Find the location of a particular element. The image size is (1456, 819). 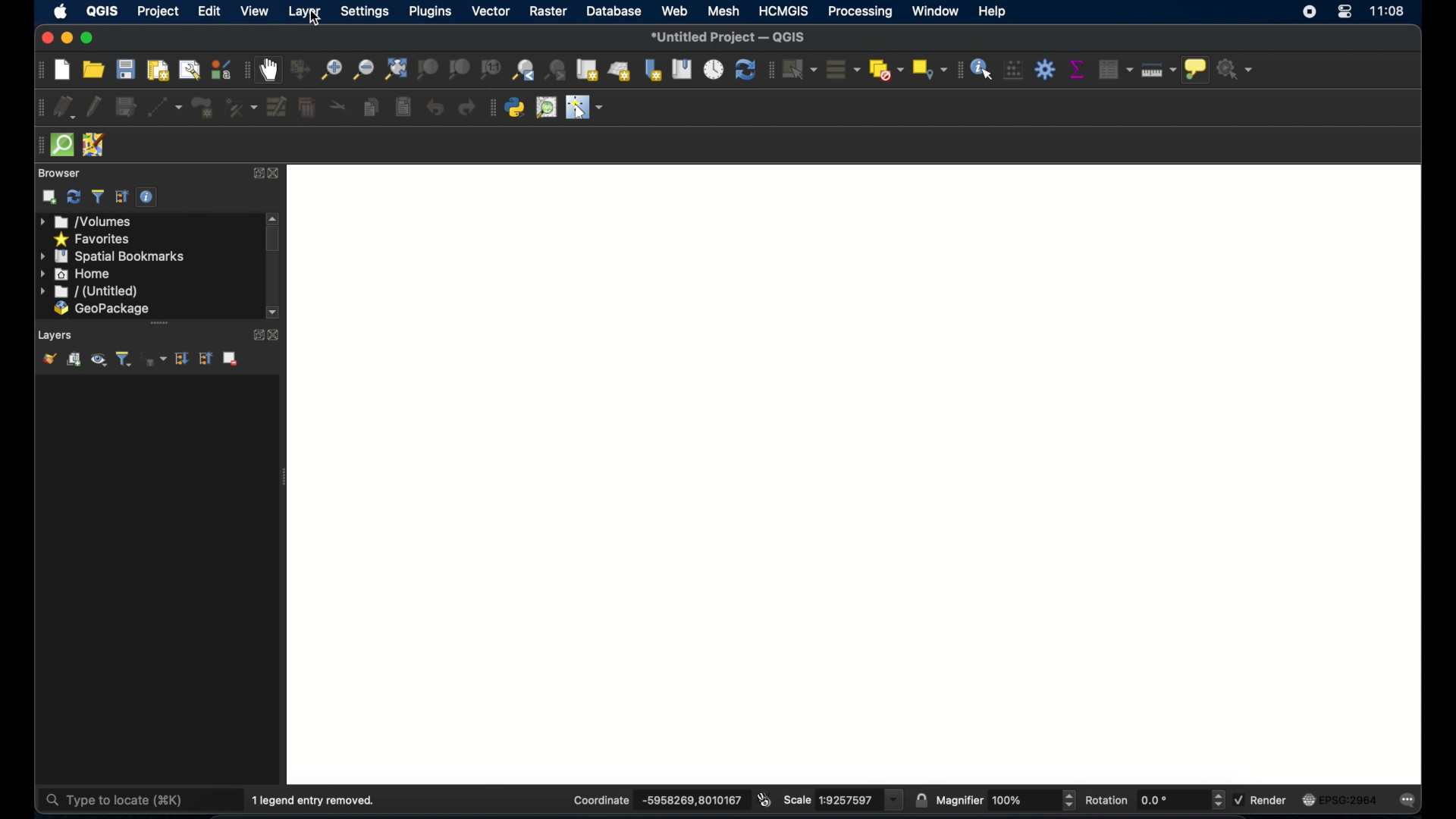

refresh is located at coordinates (745, 71).